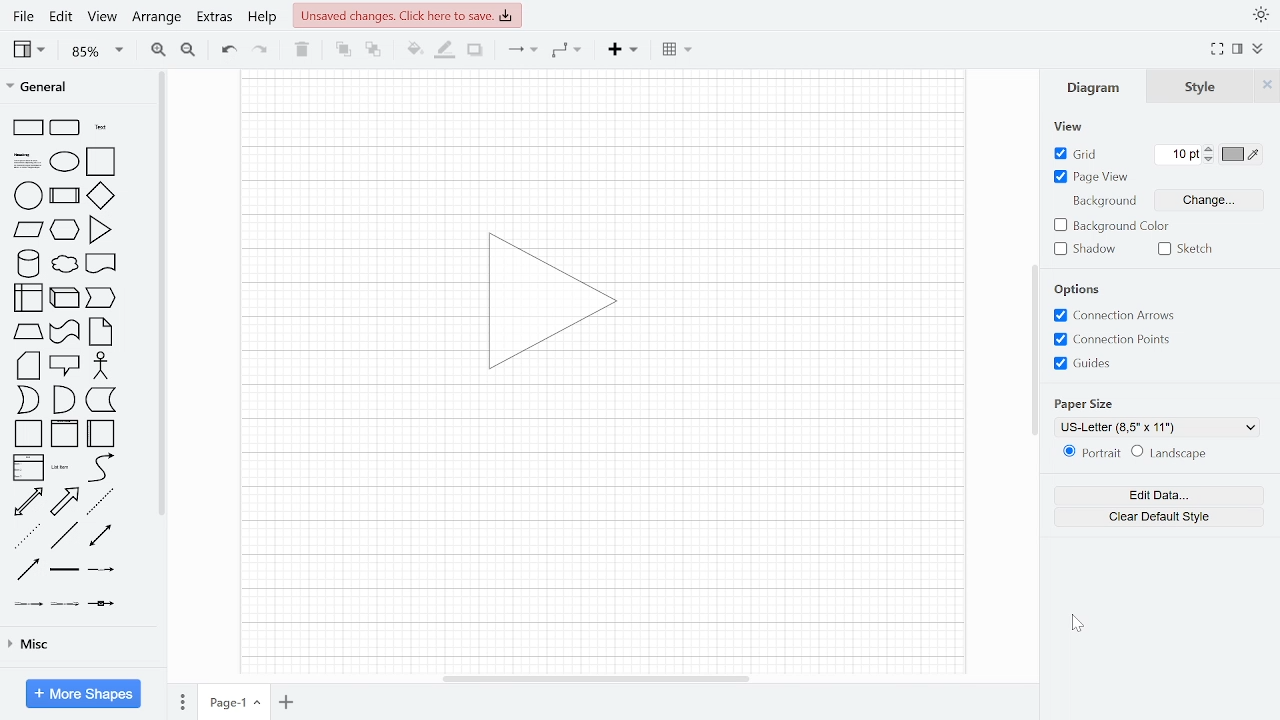  I want to click on Bidirectional connector, so click(100, 535).